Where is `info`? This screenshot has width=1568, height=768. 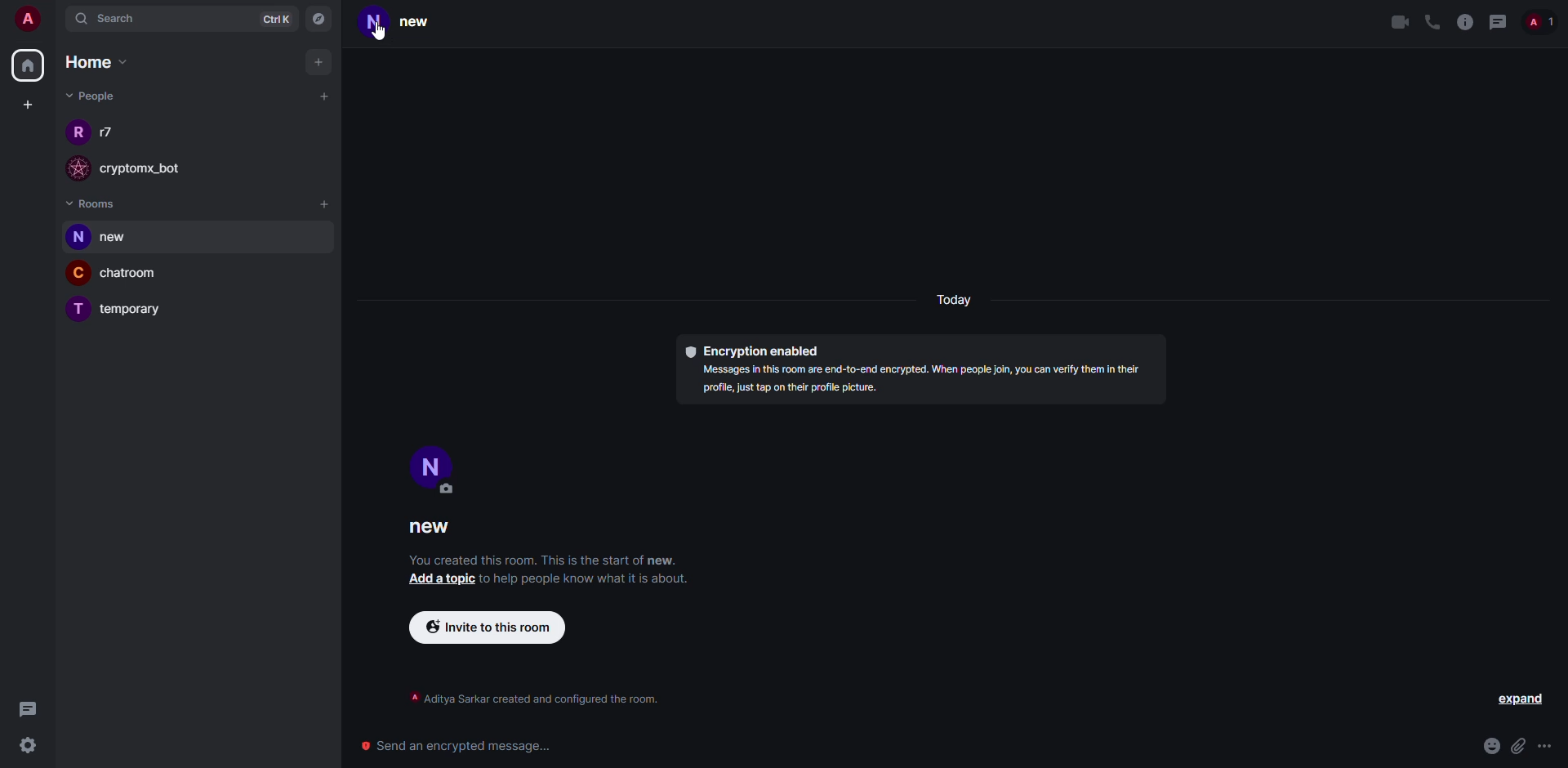 info is located at coordinates (534, 697).